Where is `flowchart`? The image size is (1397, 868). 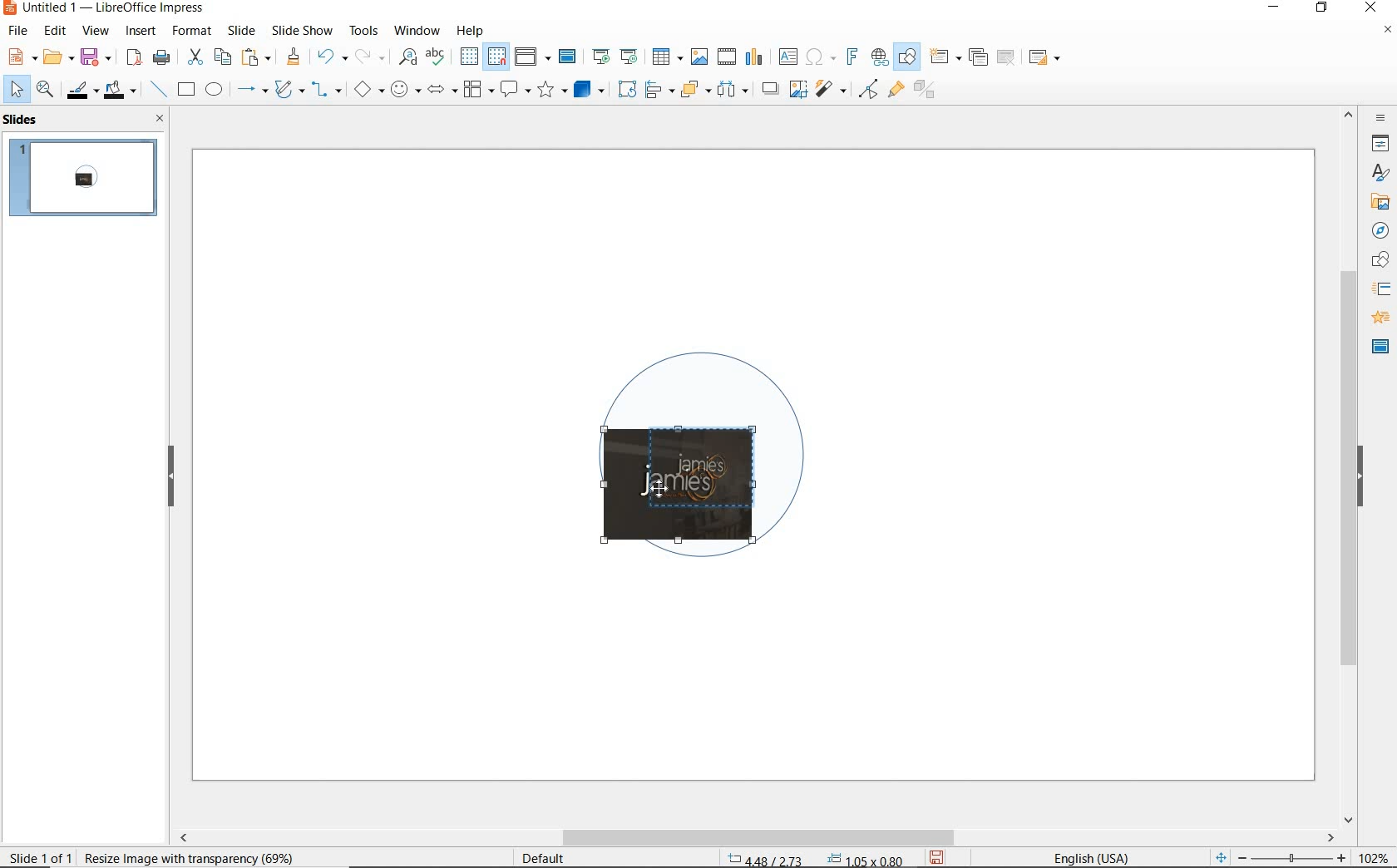
flowchart is located at coordinates (477, 91).